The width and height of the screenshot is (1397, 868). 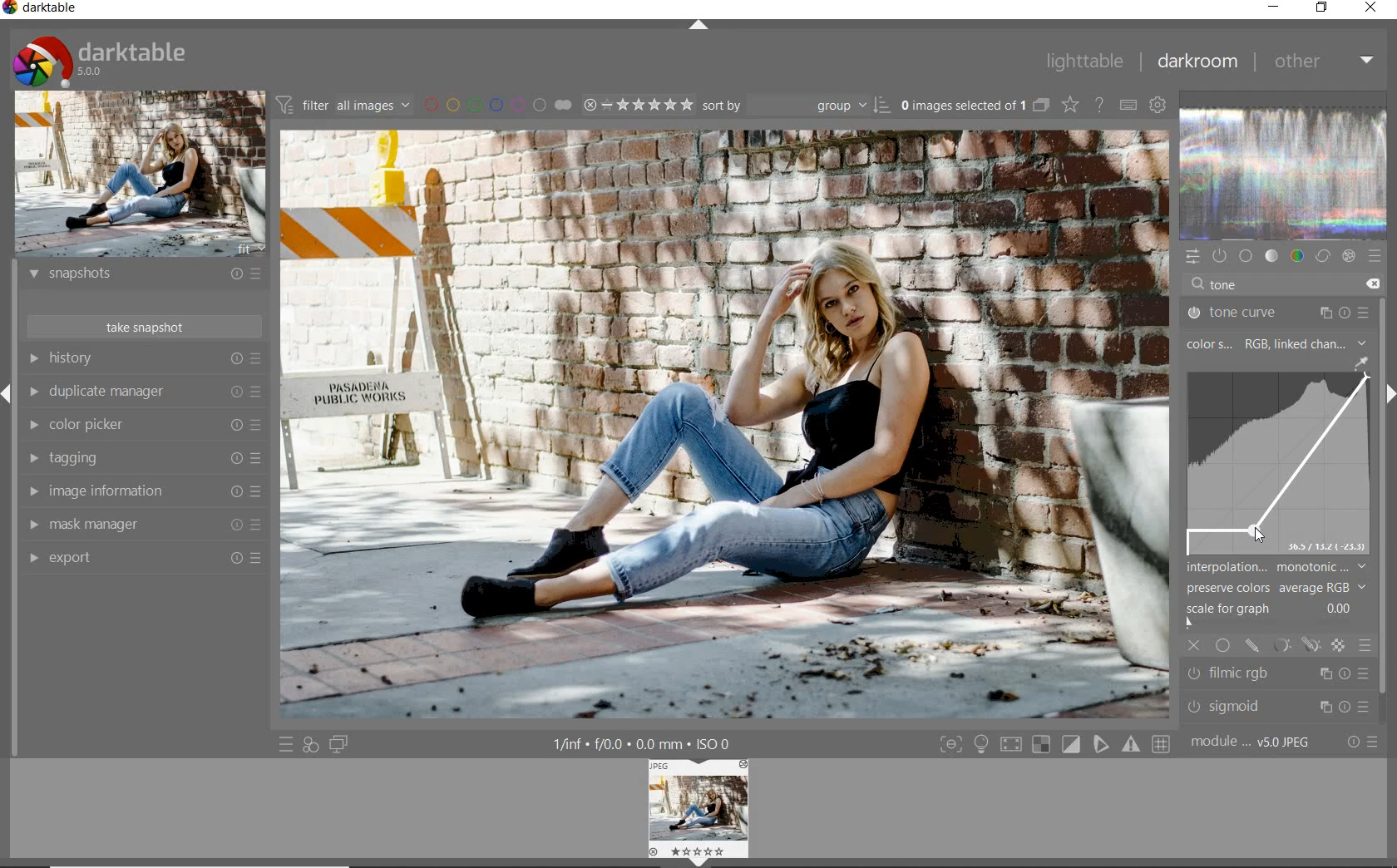 I want to click on blending options, so click(x=1366, y=648).